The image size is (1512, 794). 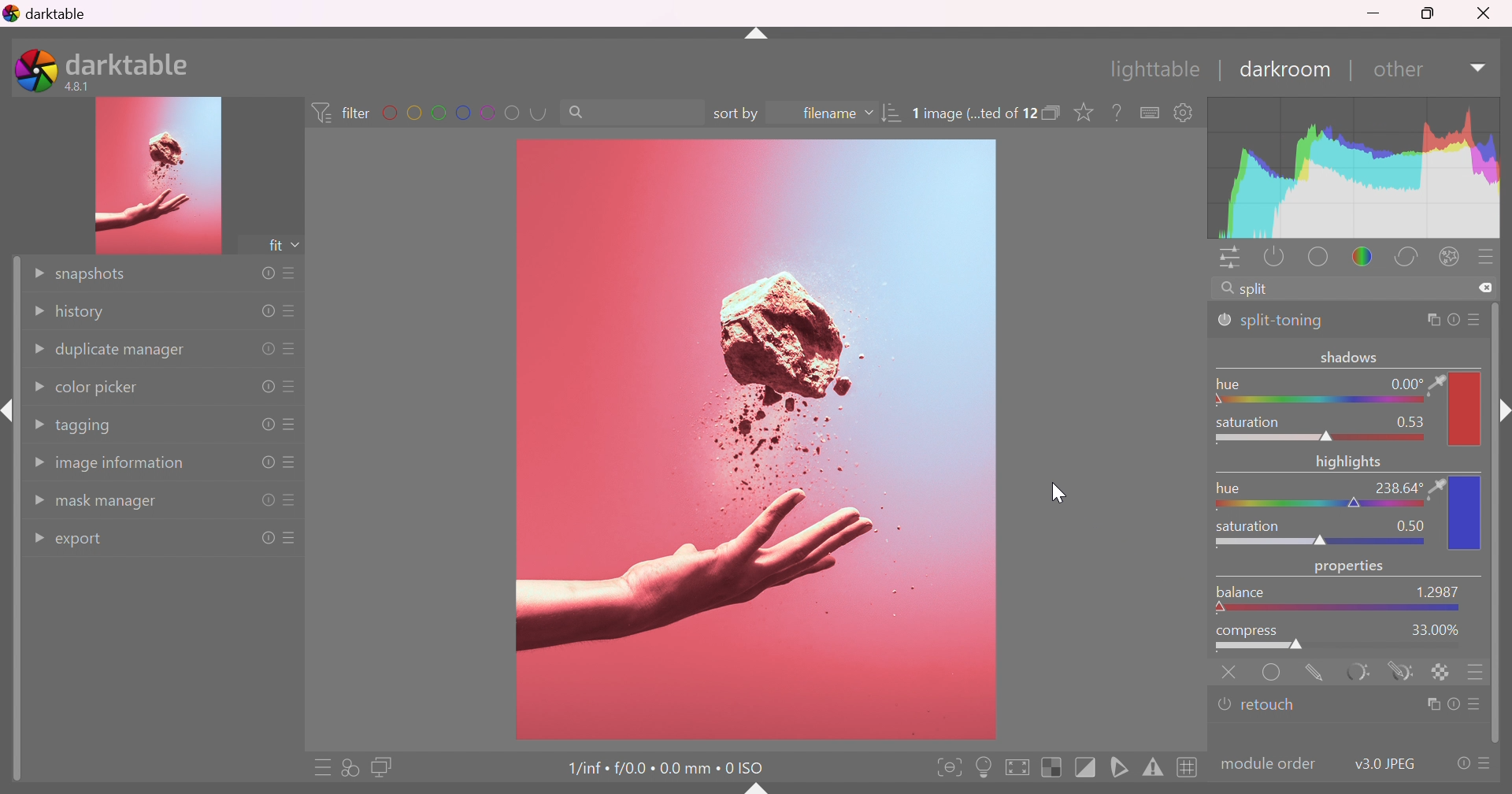 I want to click on shift+ctrl+t, so click(x=758, y=35).